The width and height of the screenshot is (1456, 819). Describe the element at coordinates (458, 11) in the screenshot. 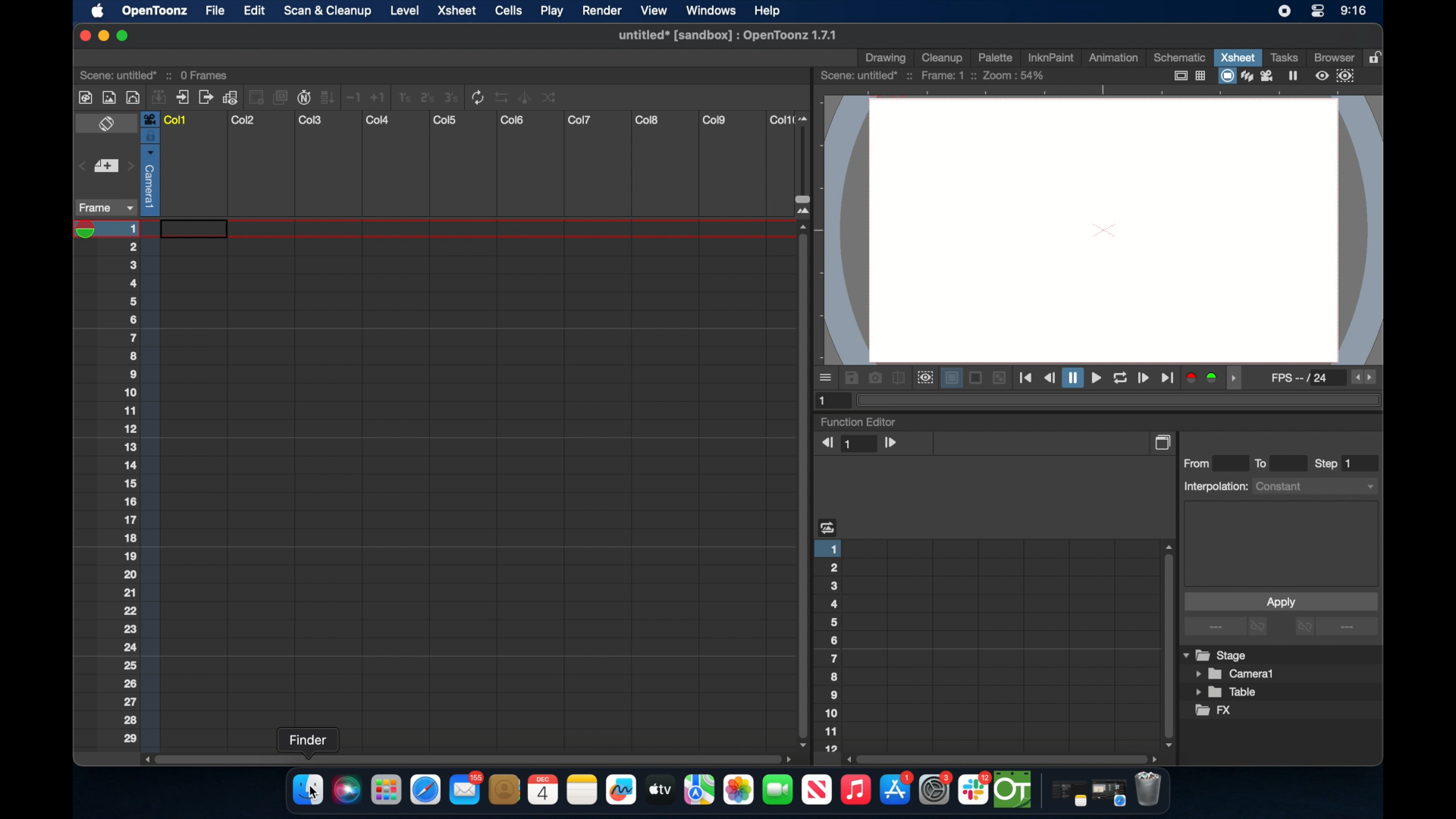

I see `xsheet` at that location.